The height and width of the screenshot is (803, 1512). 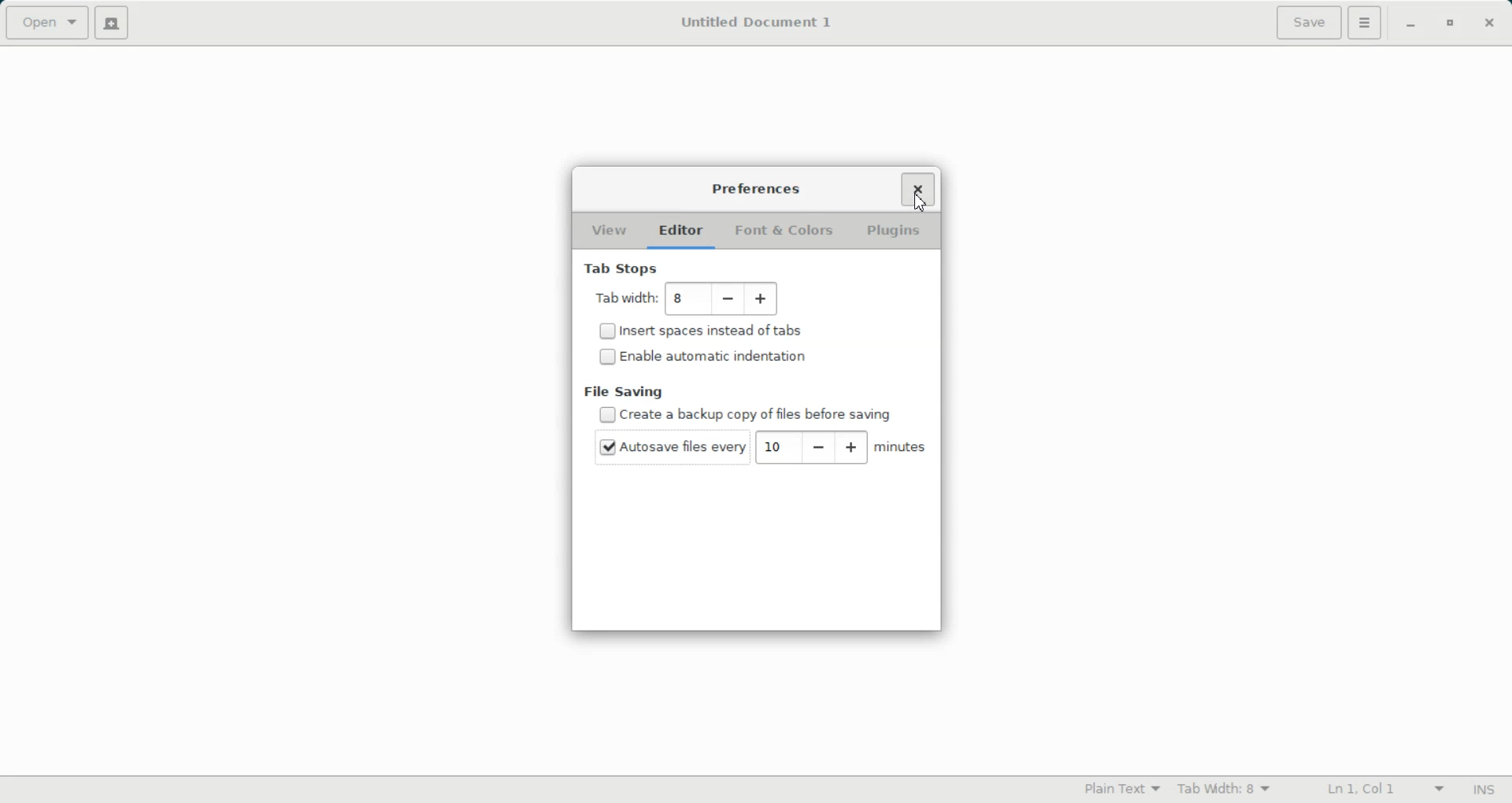 What do you see at coordinates (744, 414) in the screenshot?
I see `(un)check Disable Create a backup copy of files before saving` at bounding box center [744, 414].